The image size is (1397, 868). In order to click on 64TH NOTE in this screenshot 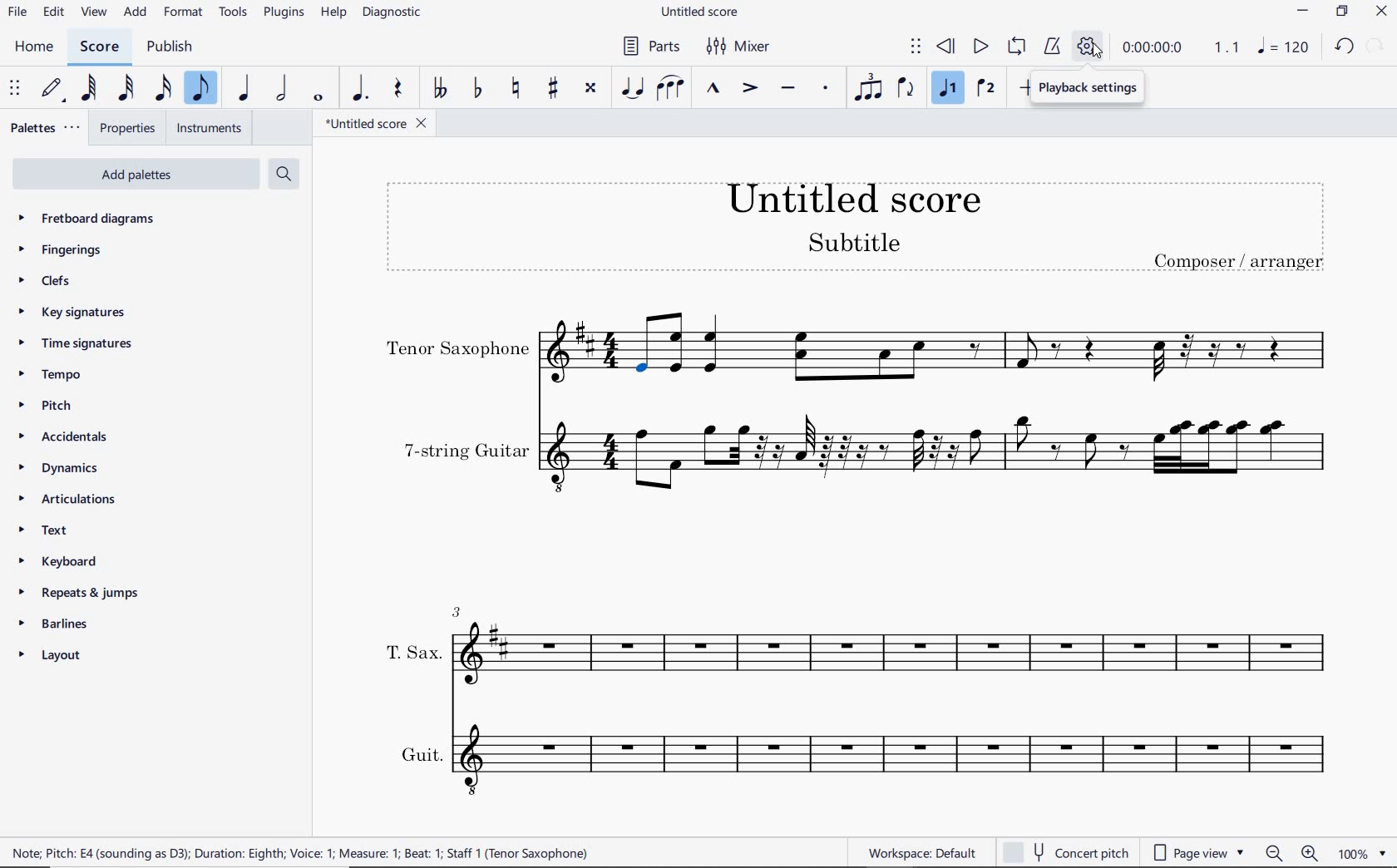, I will do `click(88, 87)`.